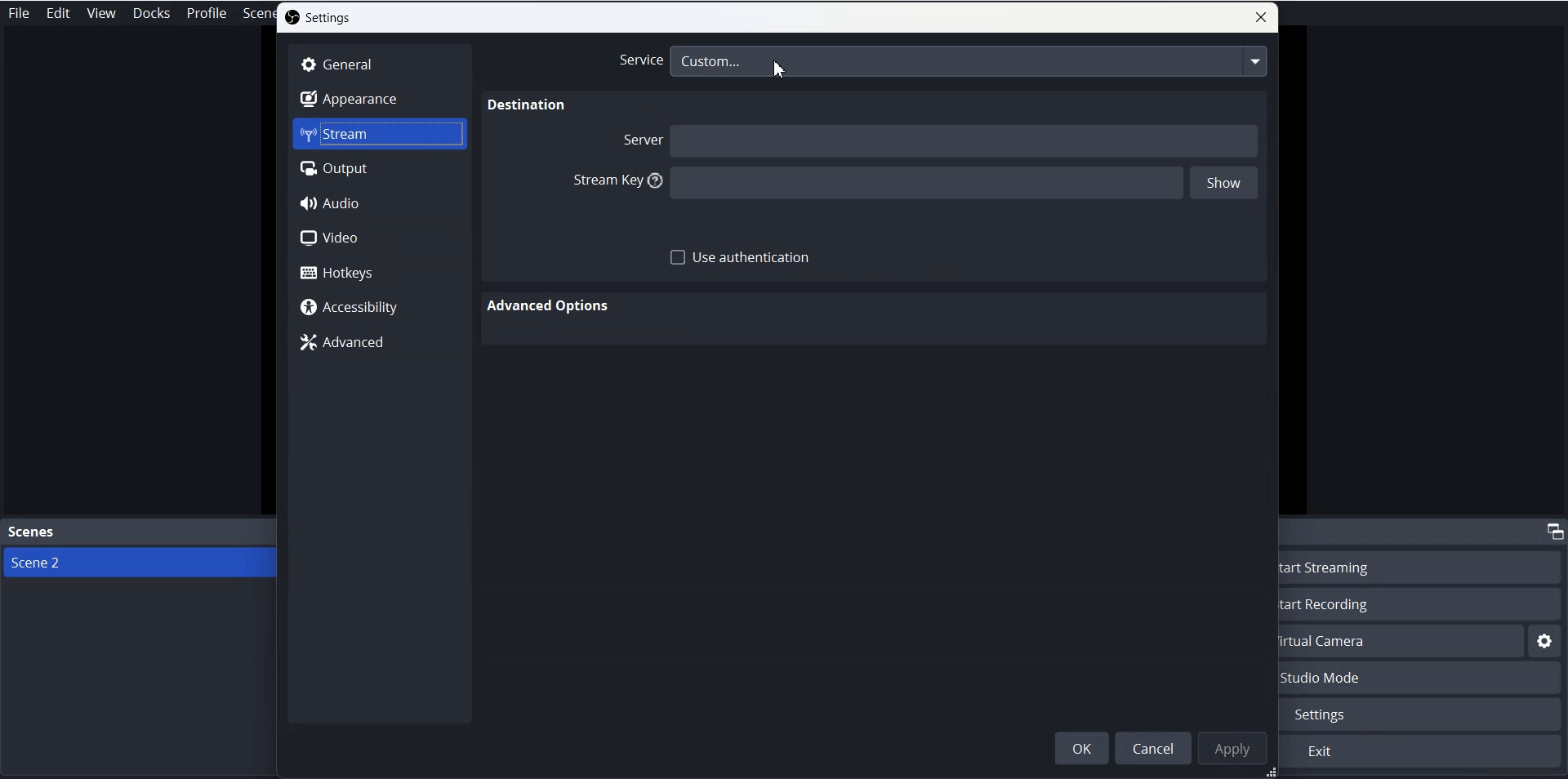 This screenshot has width=1568, height=779. I want to click on Accessibility, so click(380, 306).